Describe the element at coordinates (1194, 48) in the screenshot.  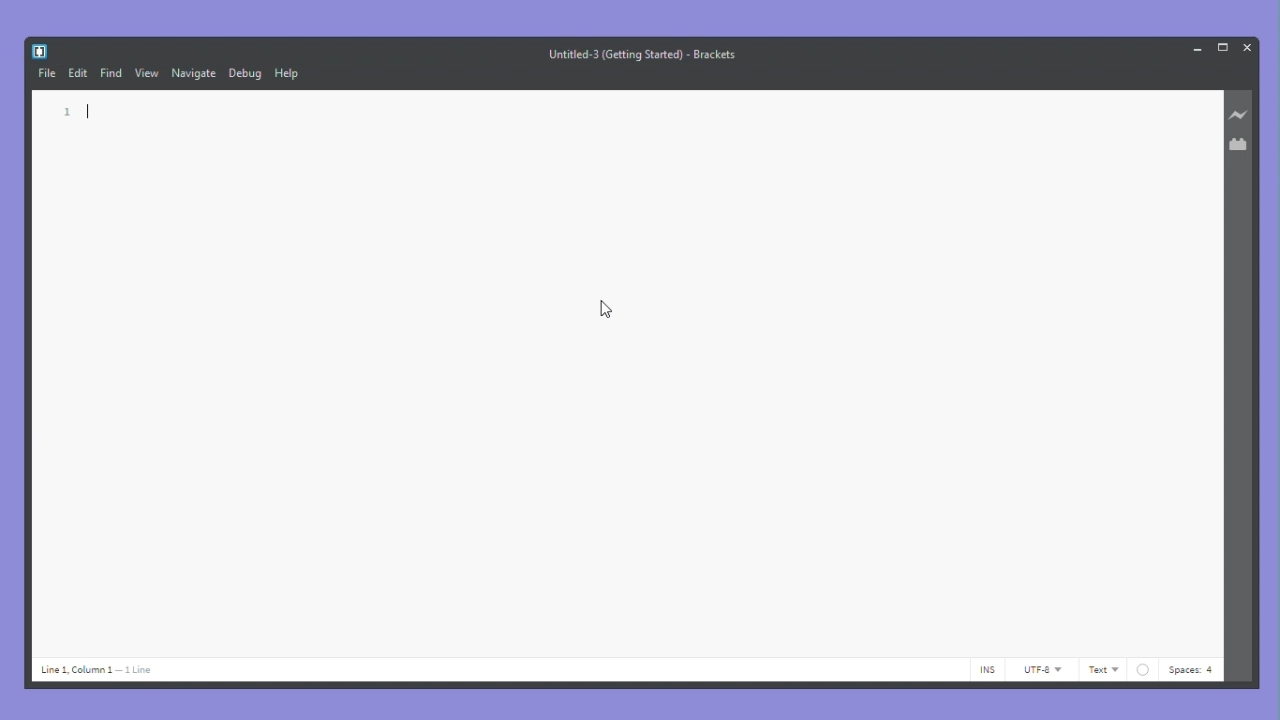
I see `Minimise` at that location.